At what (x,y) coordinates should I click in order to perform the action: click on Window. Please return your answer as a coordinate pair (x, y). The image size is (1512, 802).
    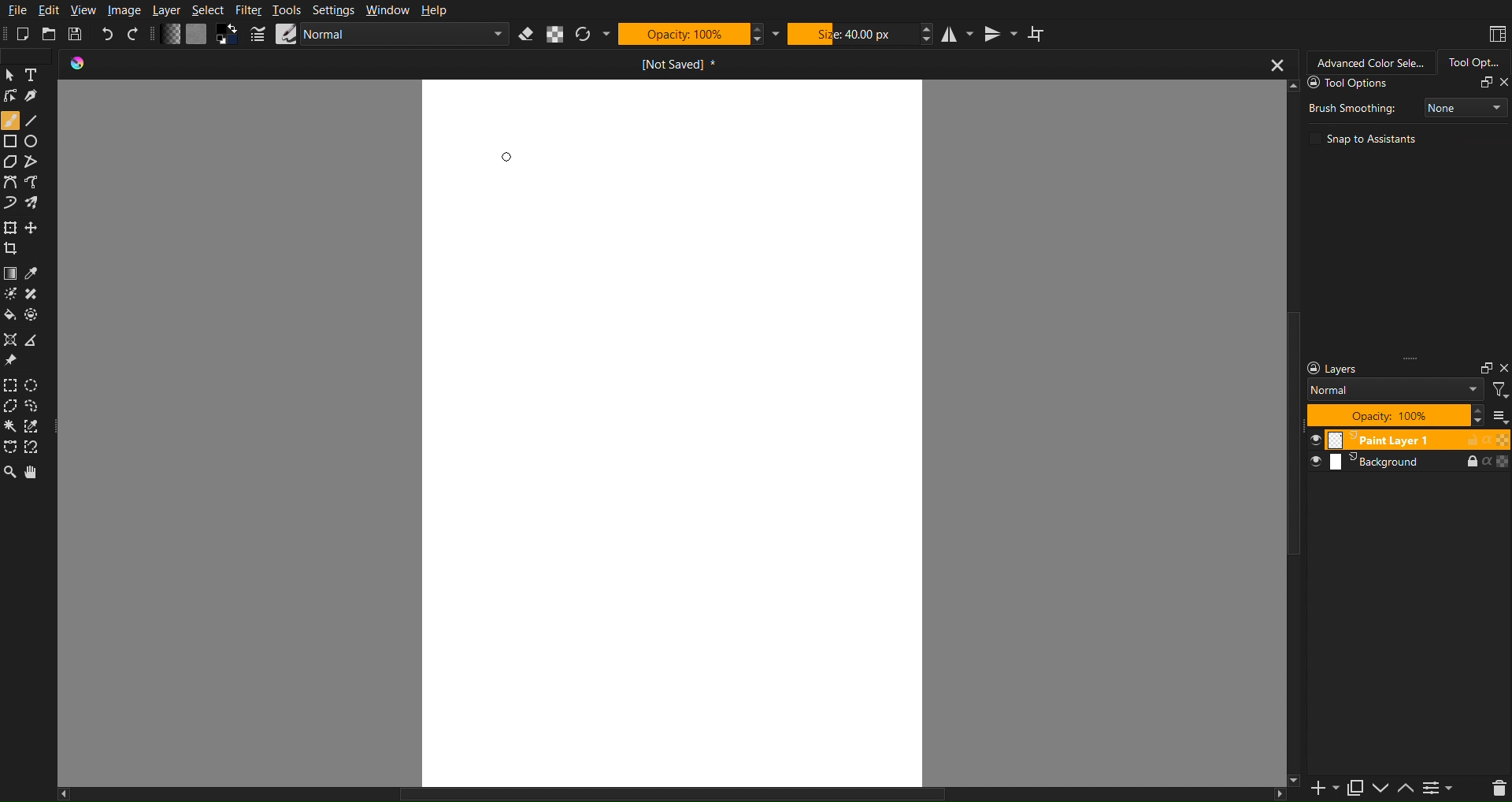
    Looking at the image, I should click on (387, 9).